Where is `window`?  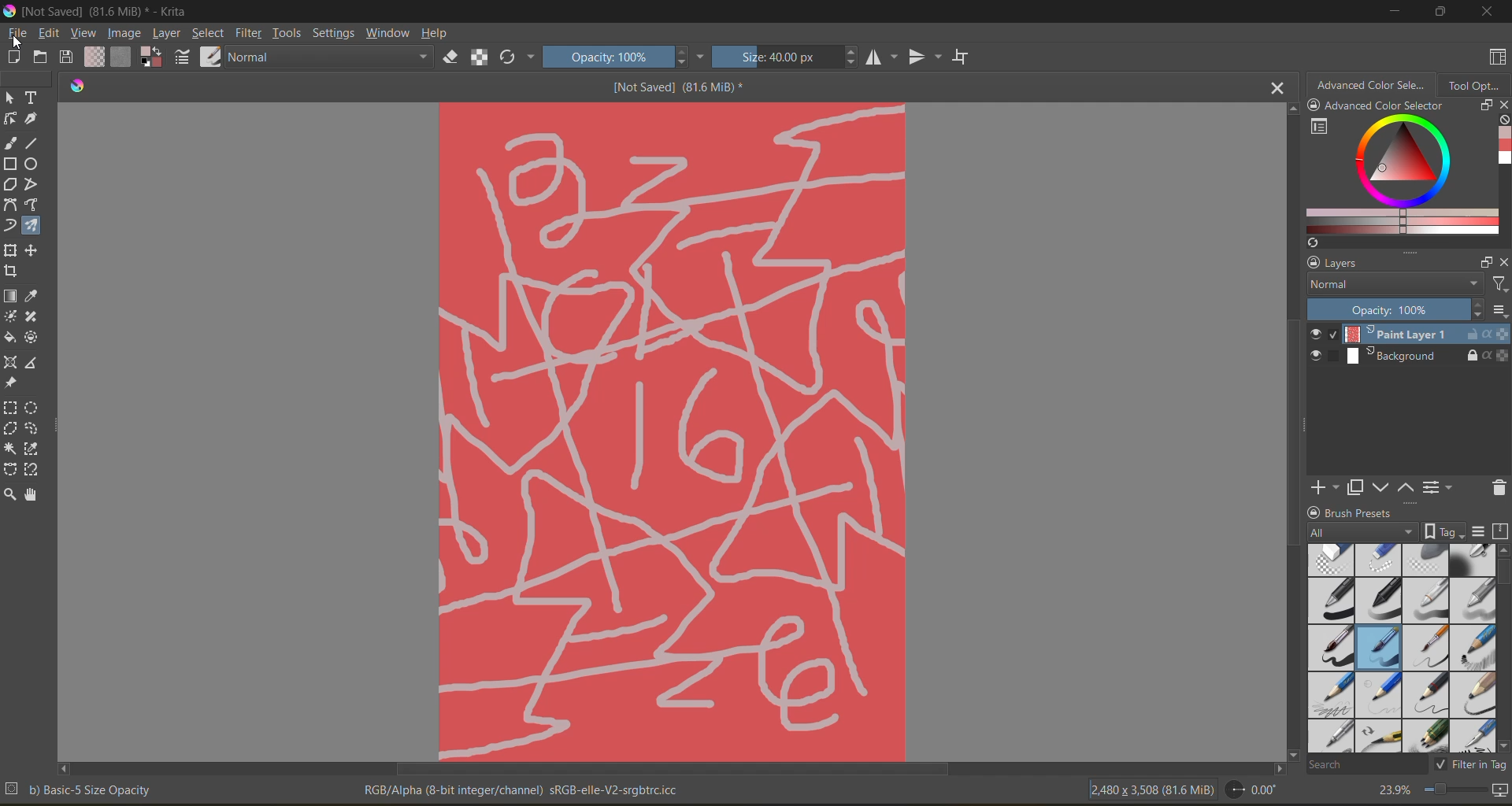 window is located at coordinates (387, 33).